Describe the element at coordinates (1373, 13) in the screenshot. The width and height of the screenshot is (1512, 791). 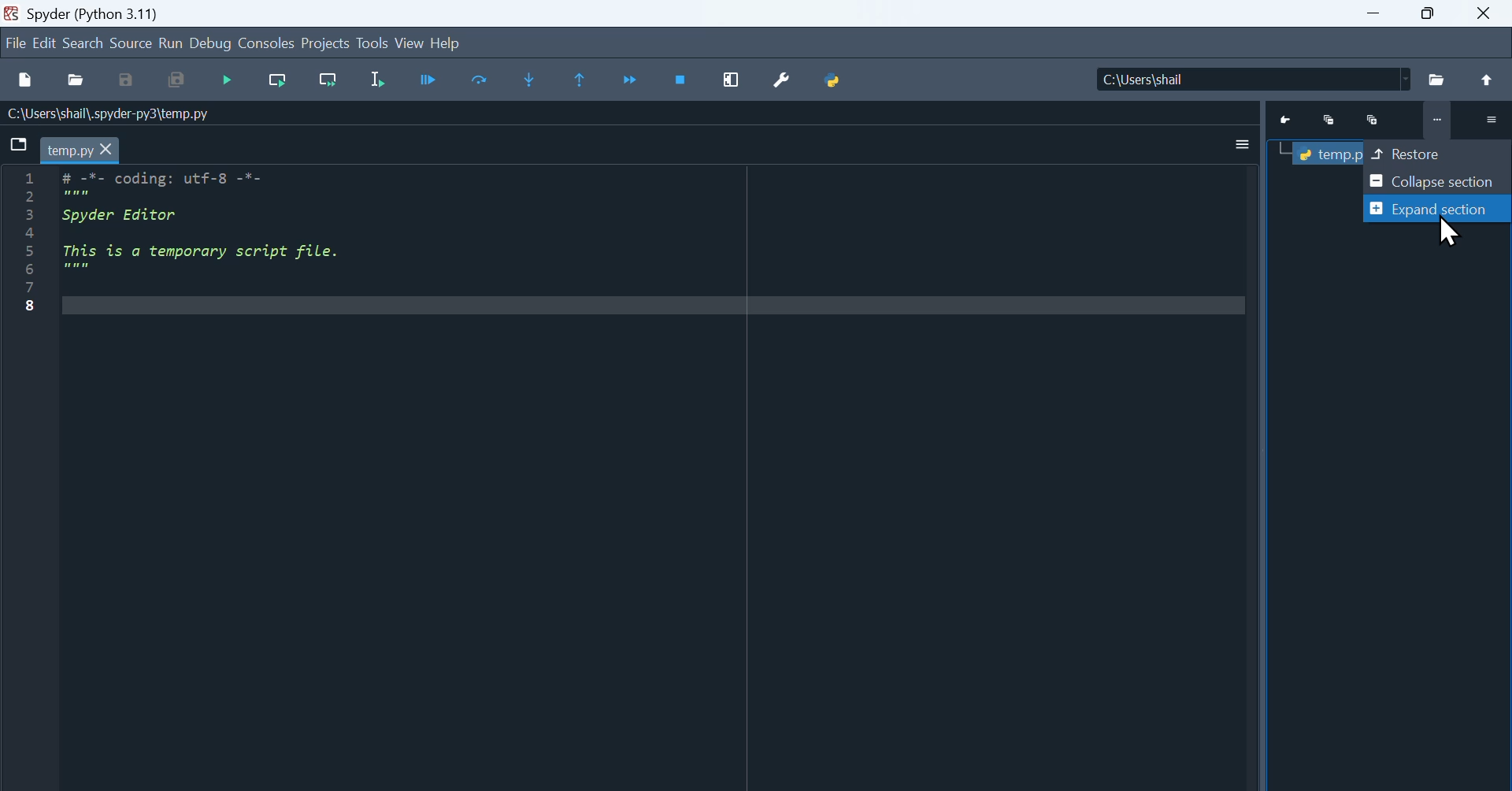
I see `minimize` at that location.